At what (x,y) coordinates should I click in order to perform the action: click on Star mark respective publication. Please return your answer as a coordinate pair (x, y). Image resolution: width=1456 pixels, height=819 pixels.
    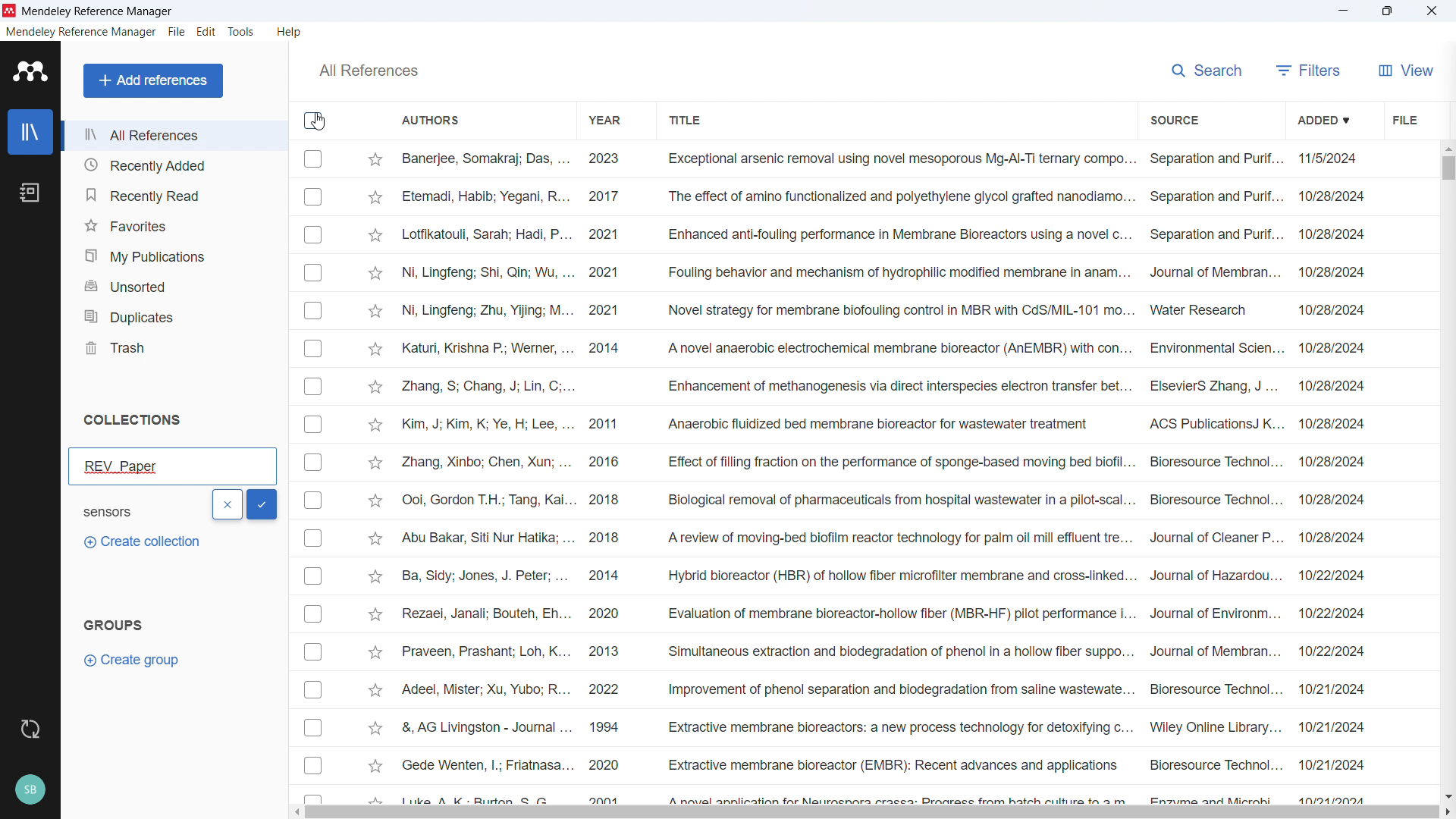
    Looking at the image, I should click on (375, 425).